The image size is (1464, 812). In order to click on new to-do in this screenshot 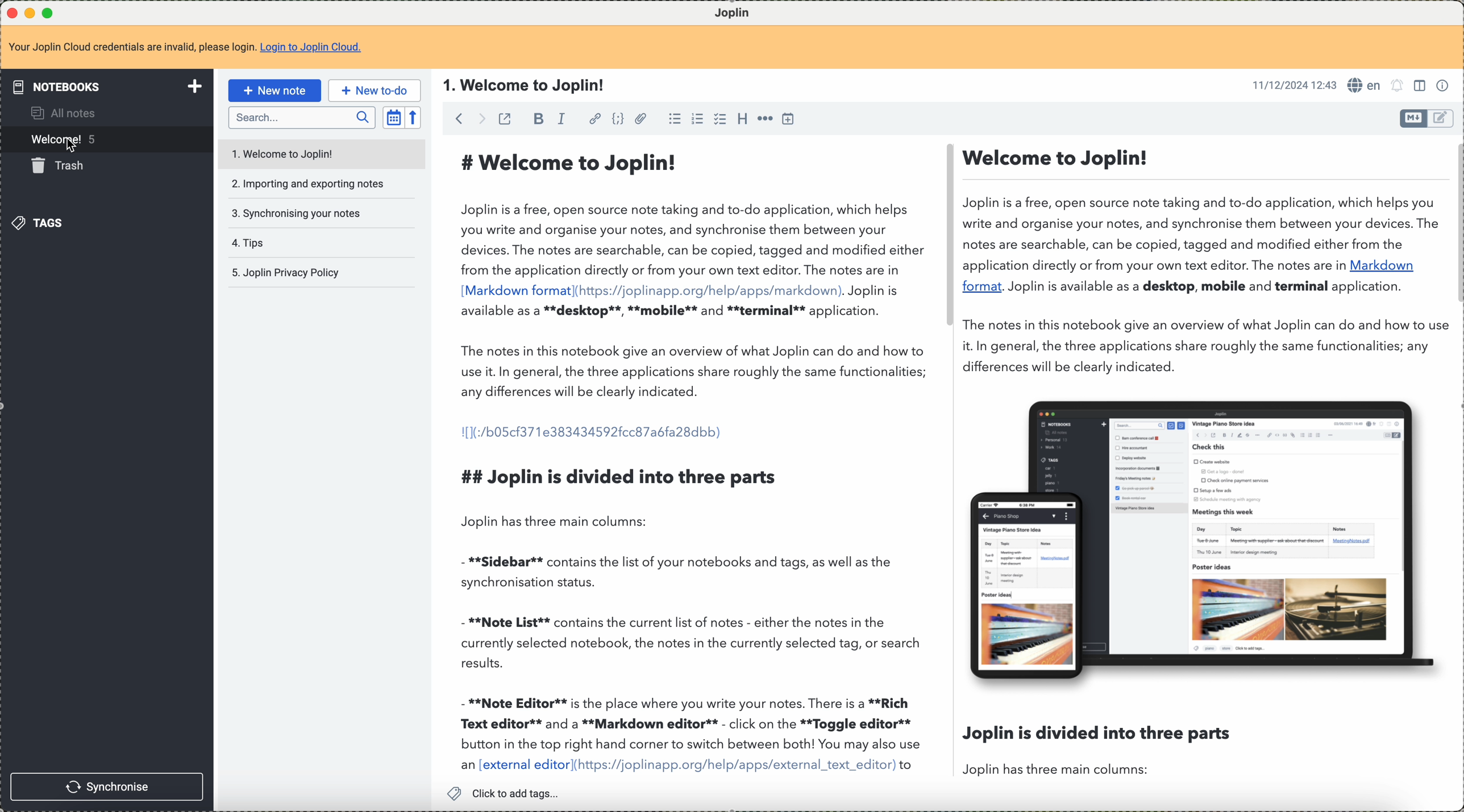, I will do `click(375, 90)`.